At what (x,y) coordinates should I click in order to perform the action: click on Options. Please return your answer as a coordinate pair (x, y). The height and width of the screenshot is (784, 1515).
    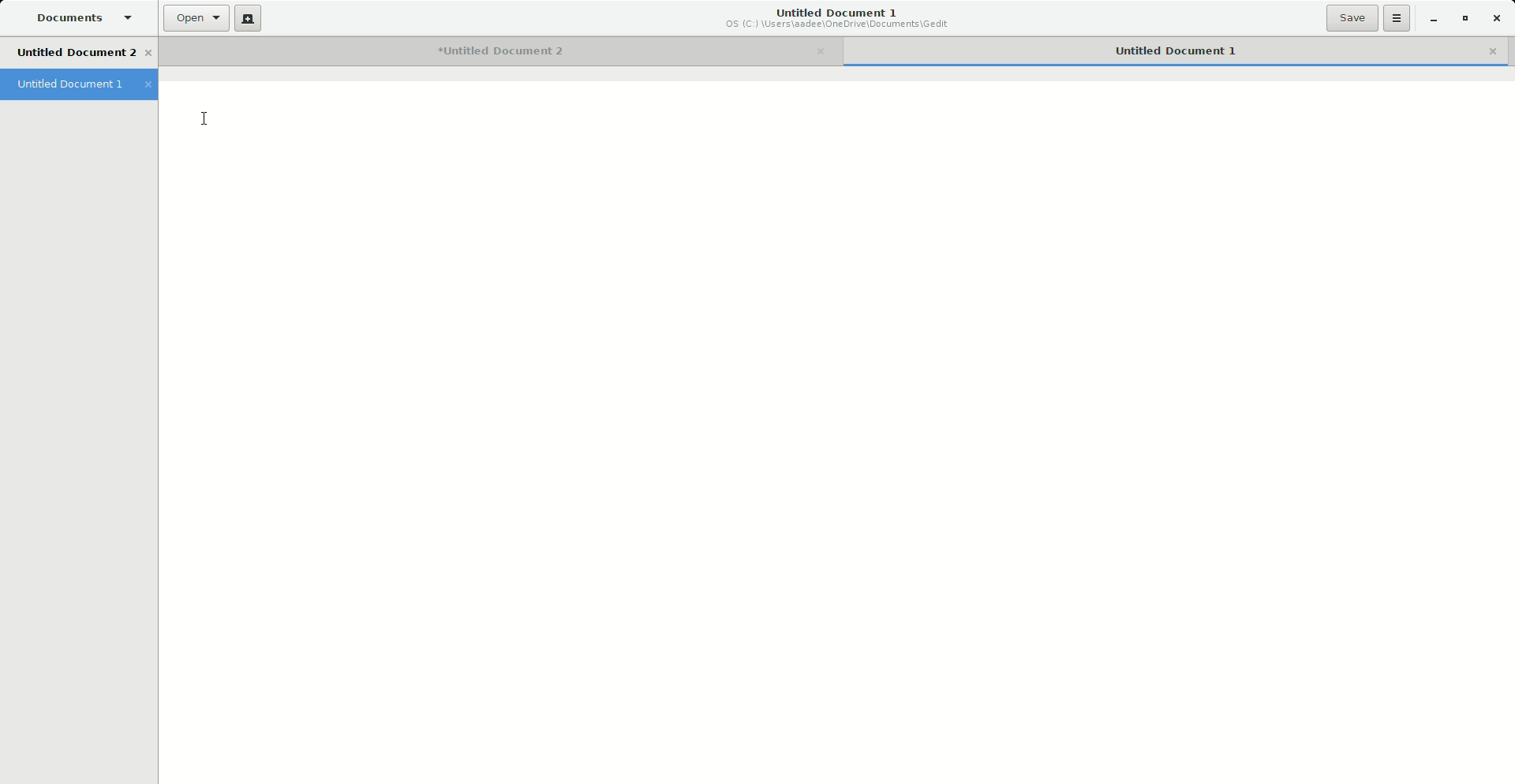
    Looking at the image, I should click on (1397, 18).